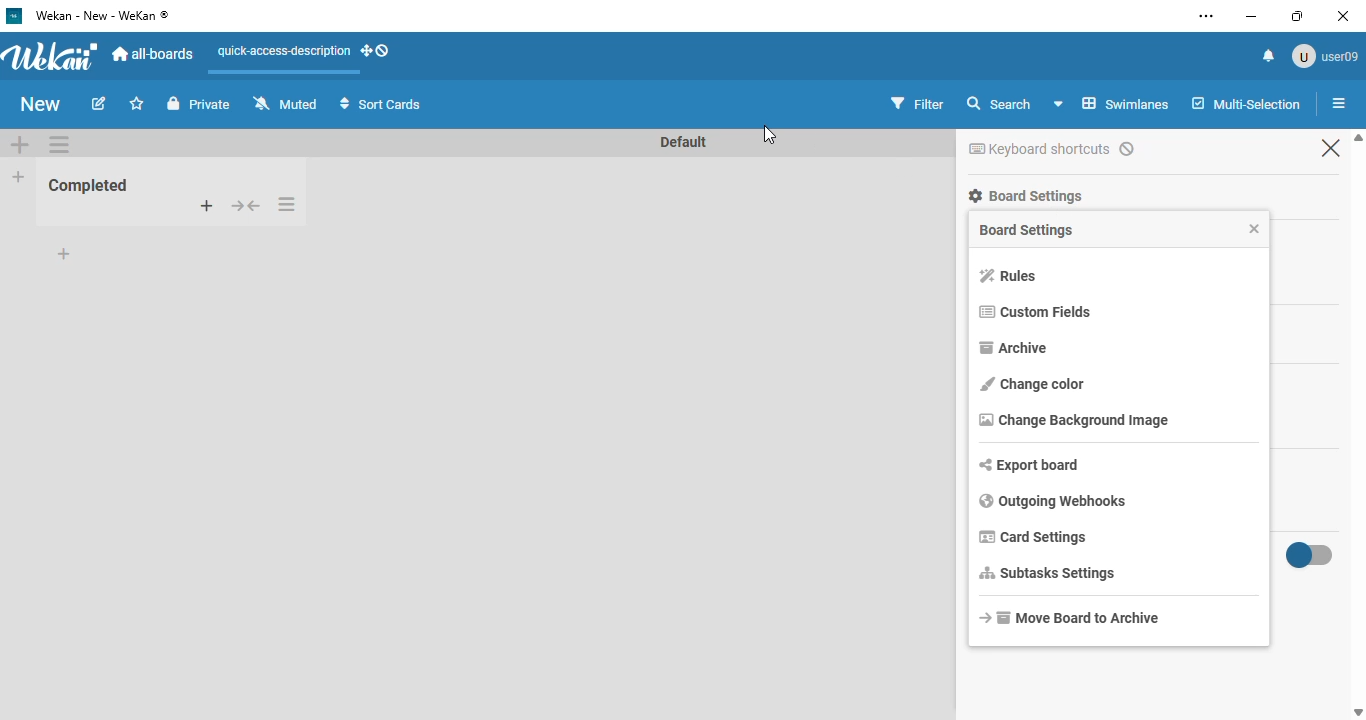  What do you see at coordinates (1296, 15) in the screenshot?
I see `maximize` at bounding box center [1296, 15].